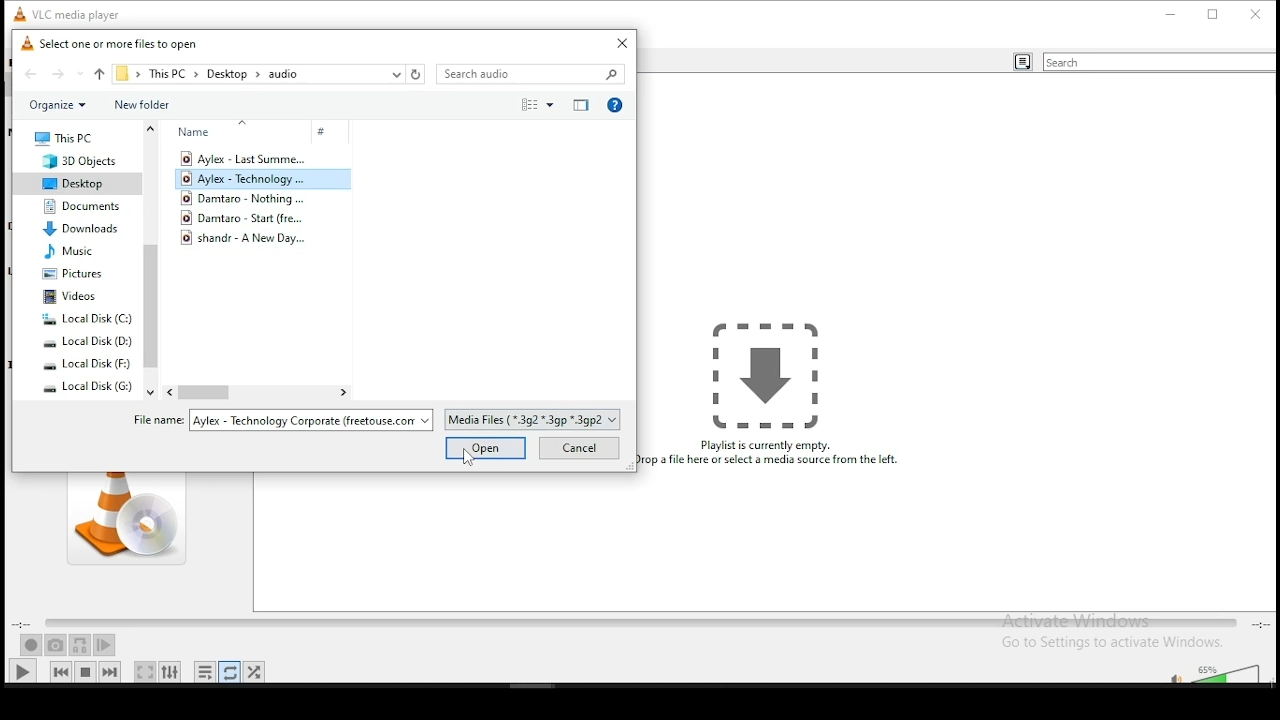  What do you see at coordinates (69, 162) in the screenshot?
I see `3D objects` at bounding box center [69, 162].